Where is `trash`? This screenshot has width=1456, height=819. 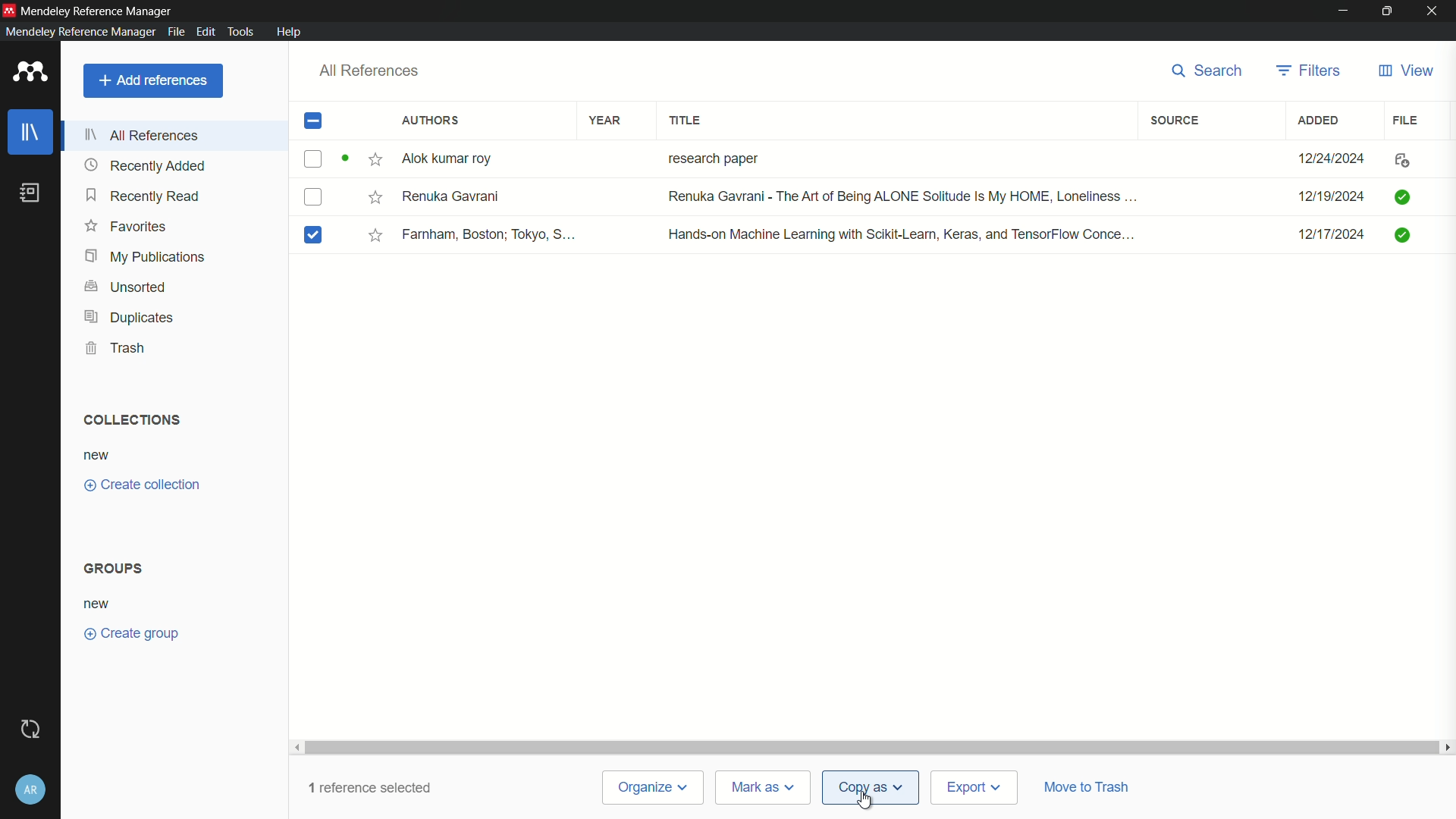 trash is located at coordinates (117, 347).